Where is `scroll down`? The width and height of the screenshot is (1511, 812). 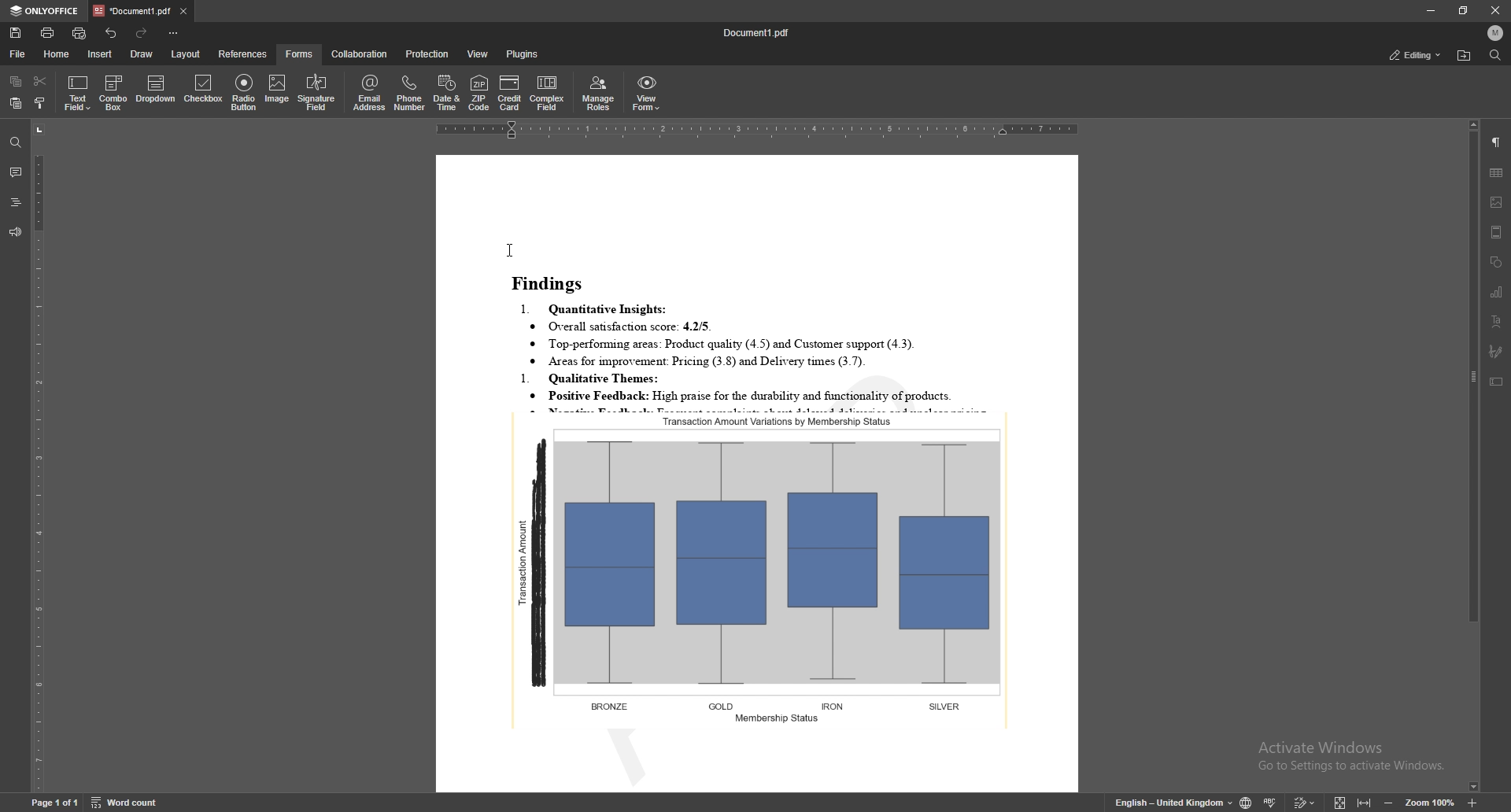 scroll down is located at coordinates (1472, 788).